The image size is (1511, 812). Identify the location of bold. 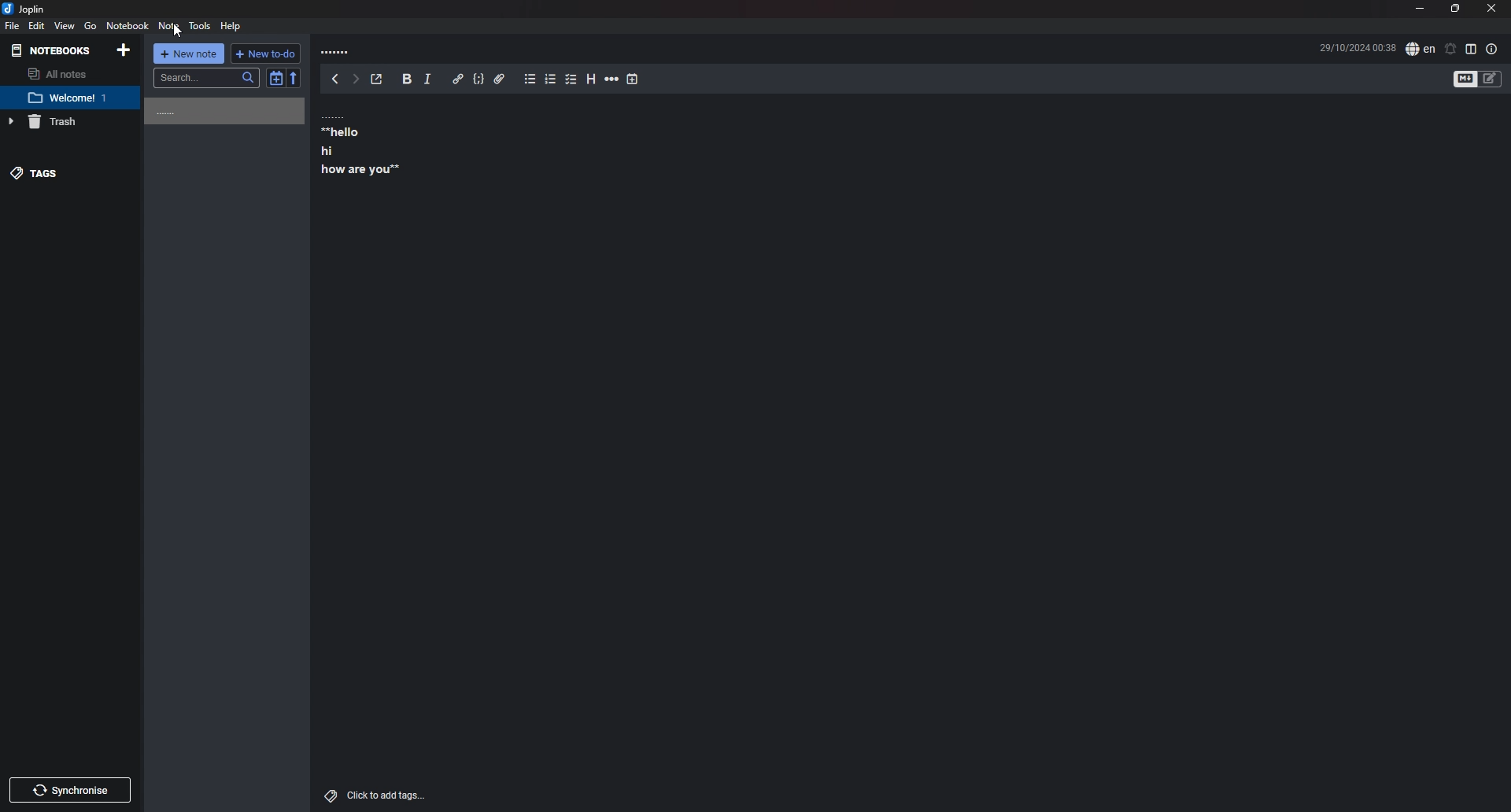
(408, 80).